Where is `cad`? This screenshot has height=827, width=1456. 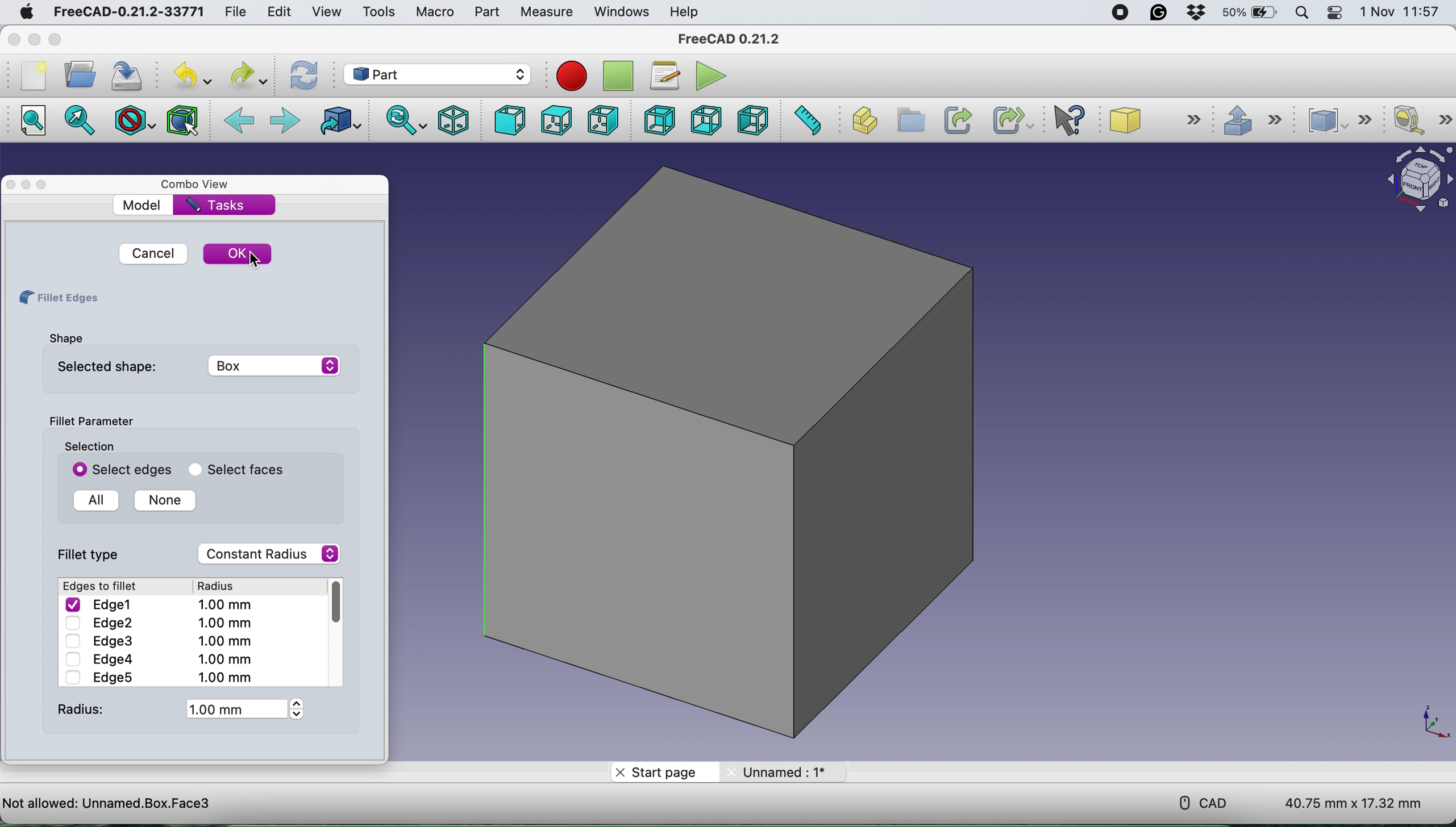 cad is located at coordinates (1195, 801).